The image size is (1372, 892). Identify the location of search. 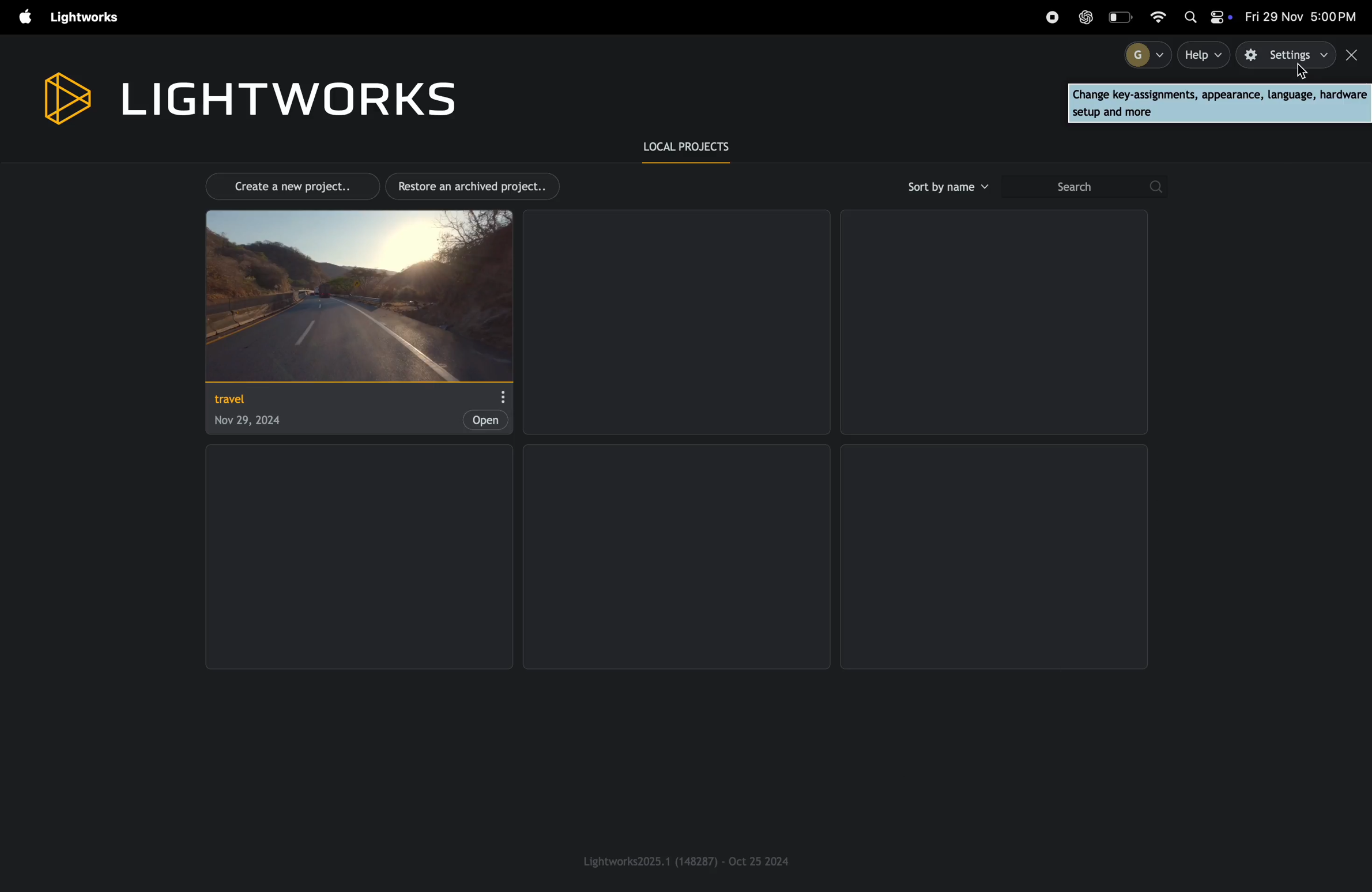
(1083, 187).